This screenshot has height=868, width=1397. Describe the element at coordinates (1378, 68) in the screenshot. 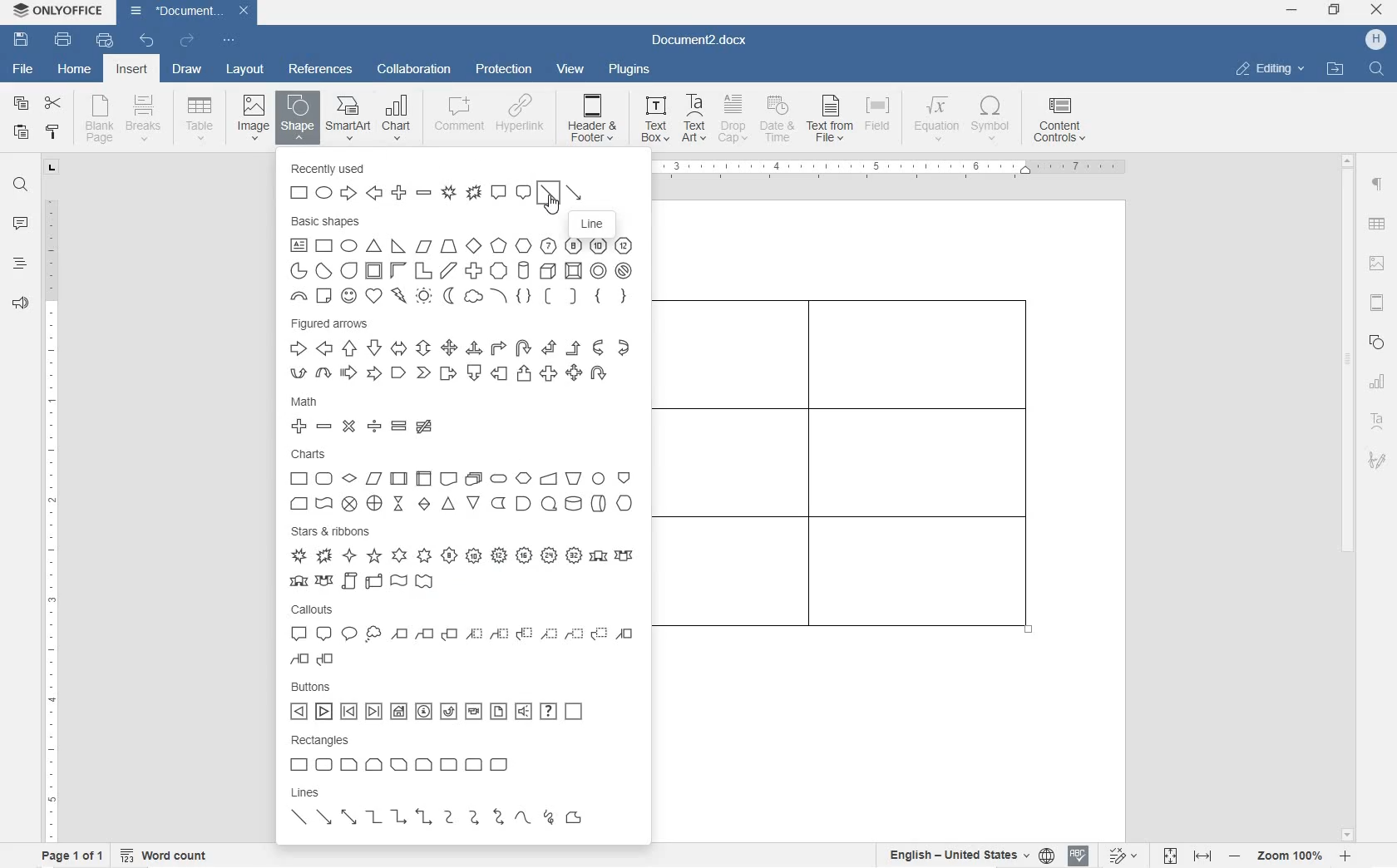

I see `FIND` at that location.